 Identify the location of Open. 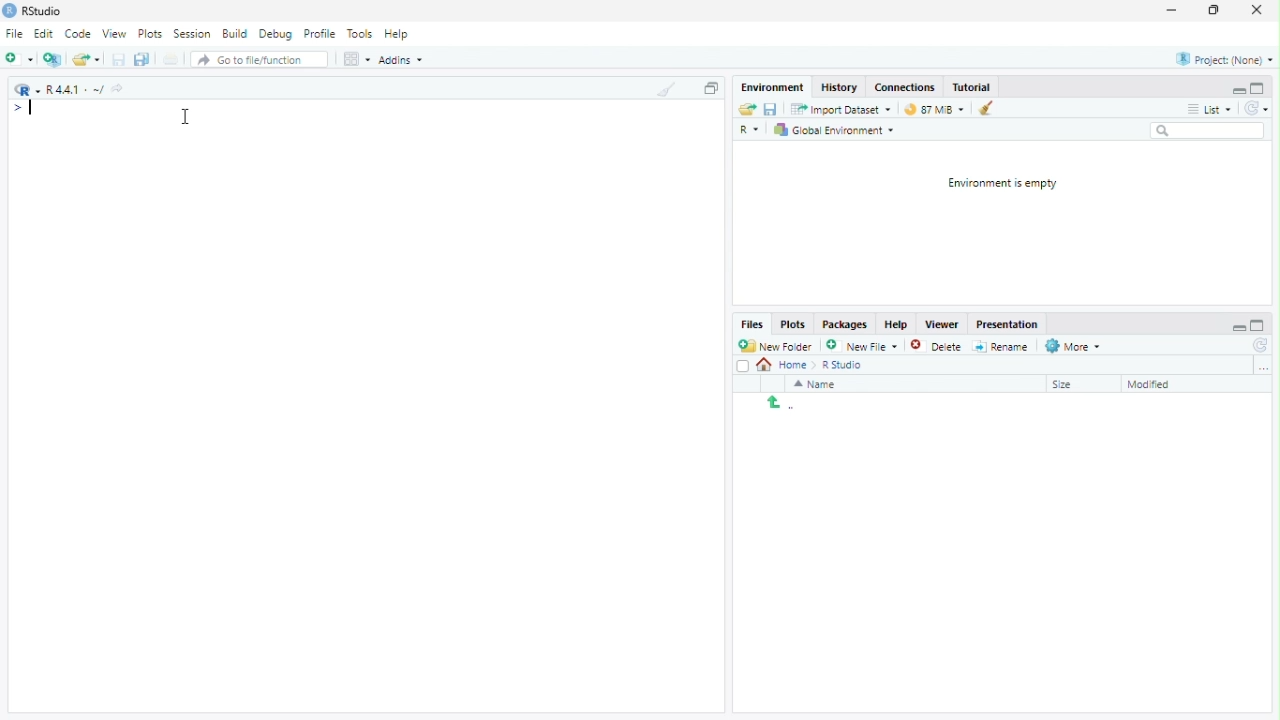
(85, 59).